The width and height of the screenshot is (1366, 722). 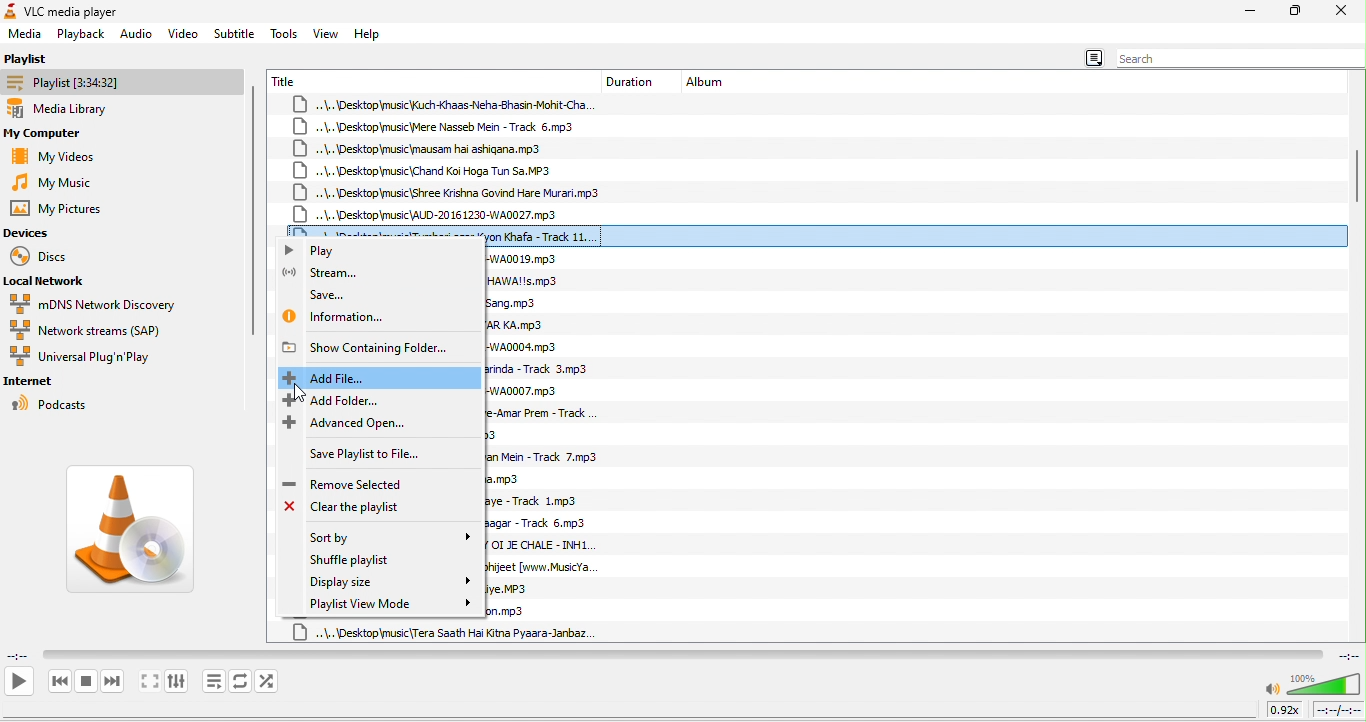 I want to click on vertical scroll bar, so click(x=1356, y=176).